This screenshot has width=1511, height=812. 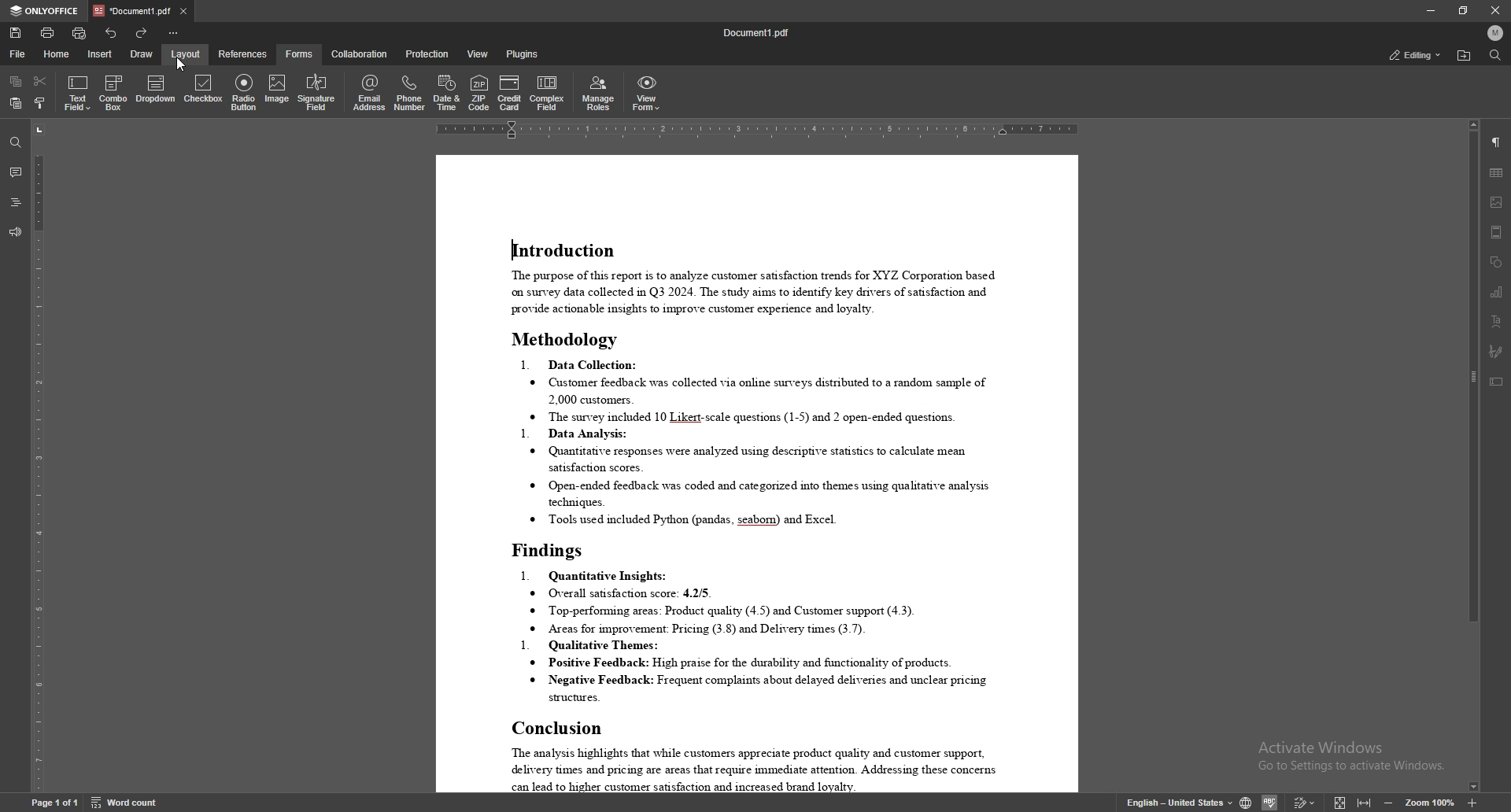 I want to click on save, so click(x=15, y=33).